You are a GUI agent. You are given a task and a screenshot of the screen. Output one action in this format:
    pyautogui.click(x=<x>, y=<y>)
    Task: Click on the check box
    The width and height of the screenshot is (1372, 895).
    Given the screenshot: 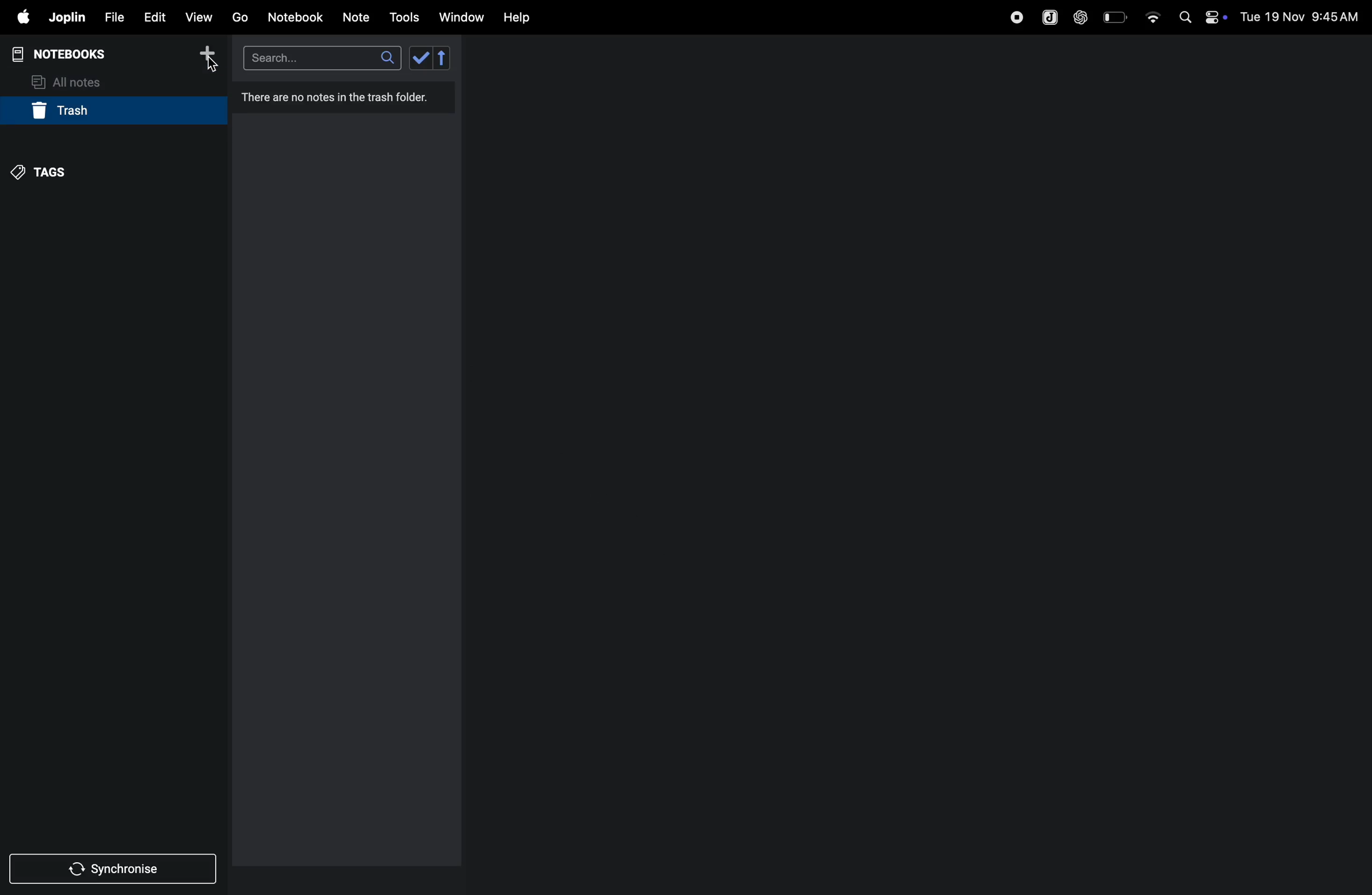 What is the action you would take?
    pyautogui.click(x=432, y=57)
    